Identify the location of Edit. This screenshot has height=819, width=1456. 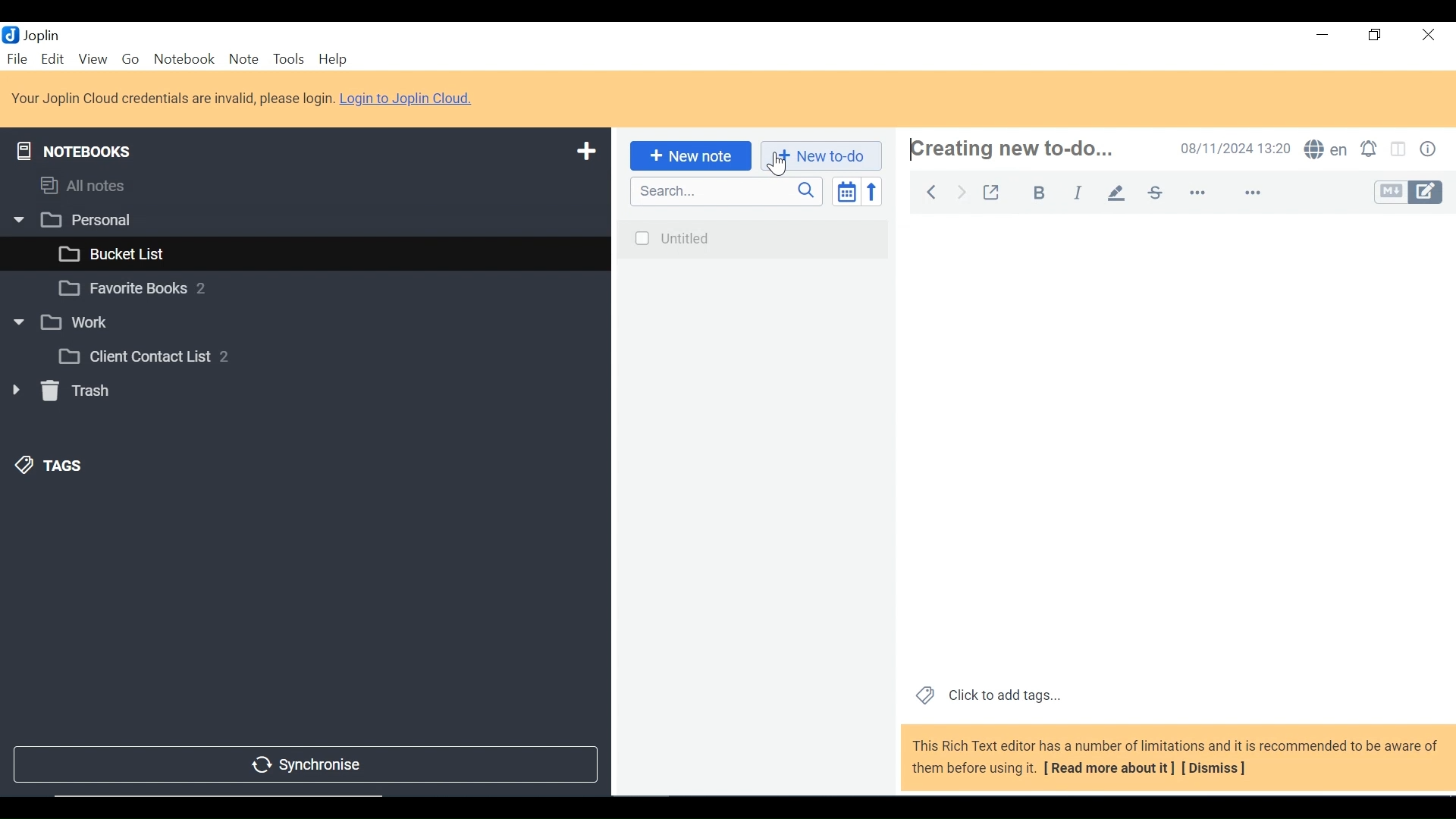
(53, 60).